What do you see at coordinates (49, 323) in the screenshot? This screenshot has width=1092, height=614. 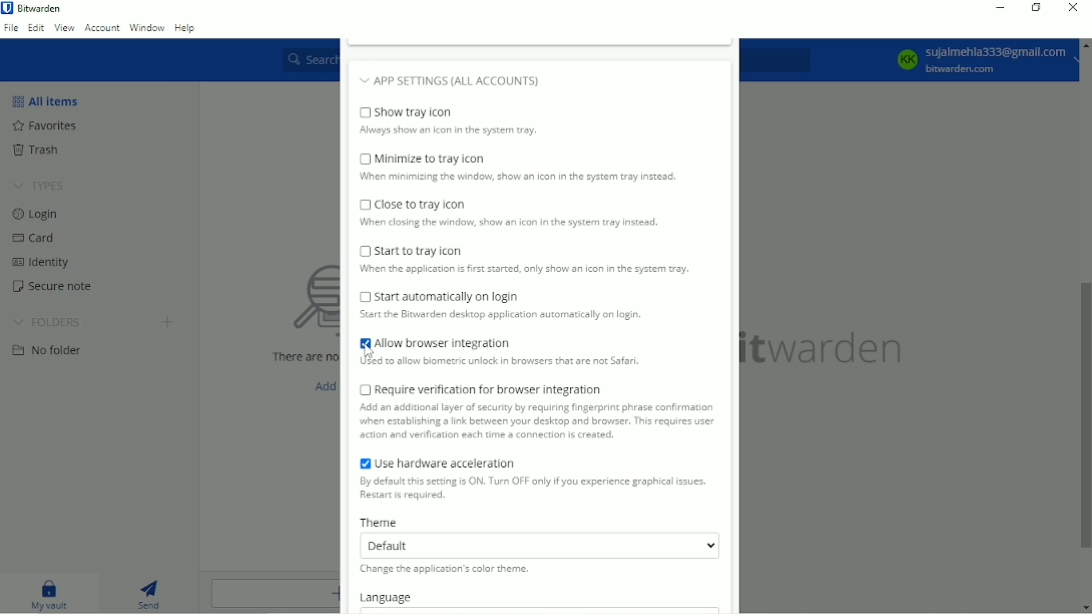 I see `Folders` at bounding box center [49, 323].